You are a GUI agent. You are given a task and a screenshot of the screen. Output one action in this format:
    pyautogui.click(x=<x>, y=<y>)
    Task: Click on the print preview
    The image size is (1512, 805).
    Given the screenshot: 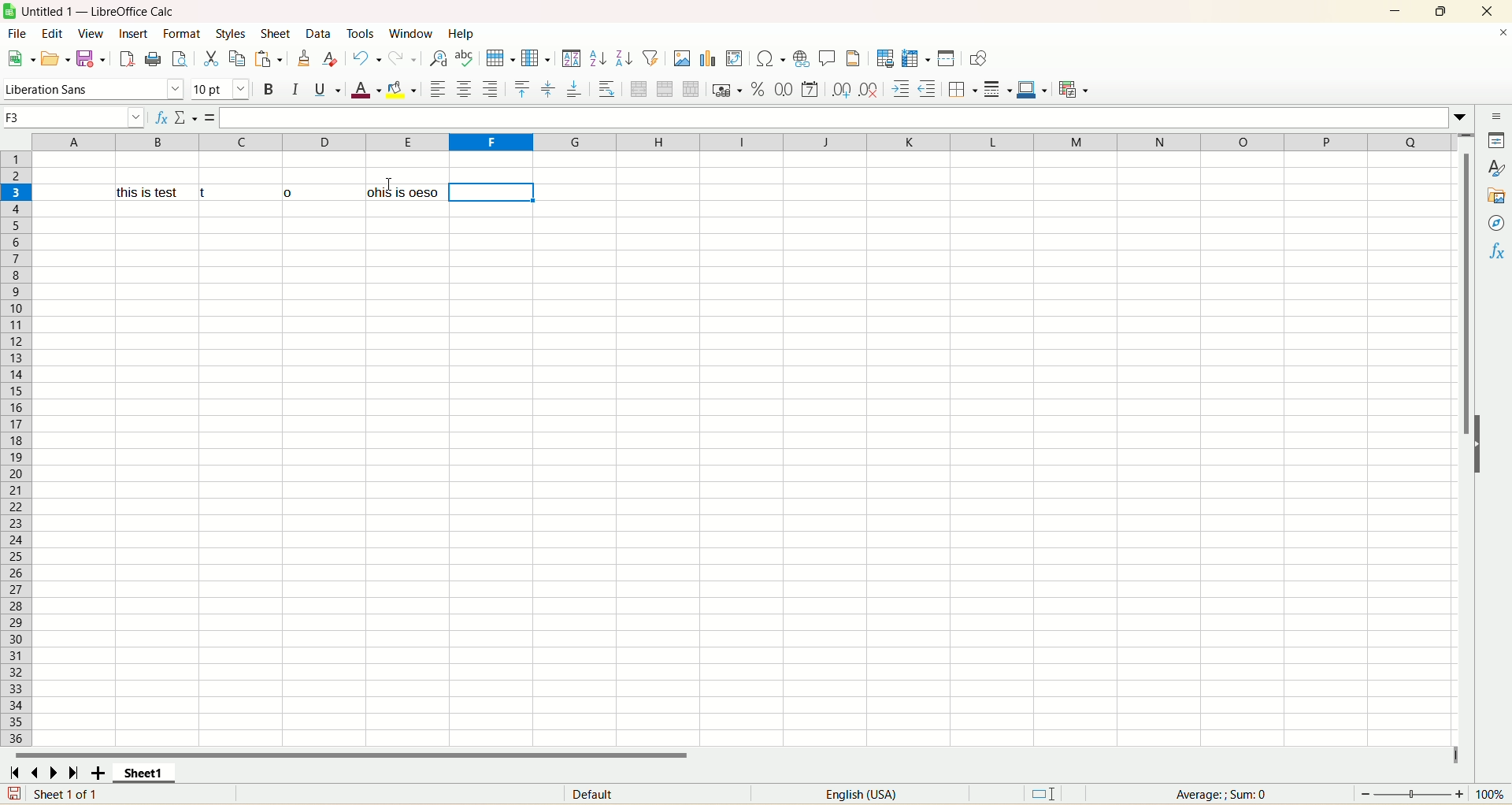 What is the action you would take?
    pyautogui.click(x=178, y=57)
    